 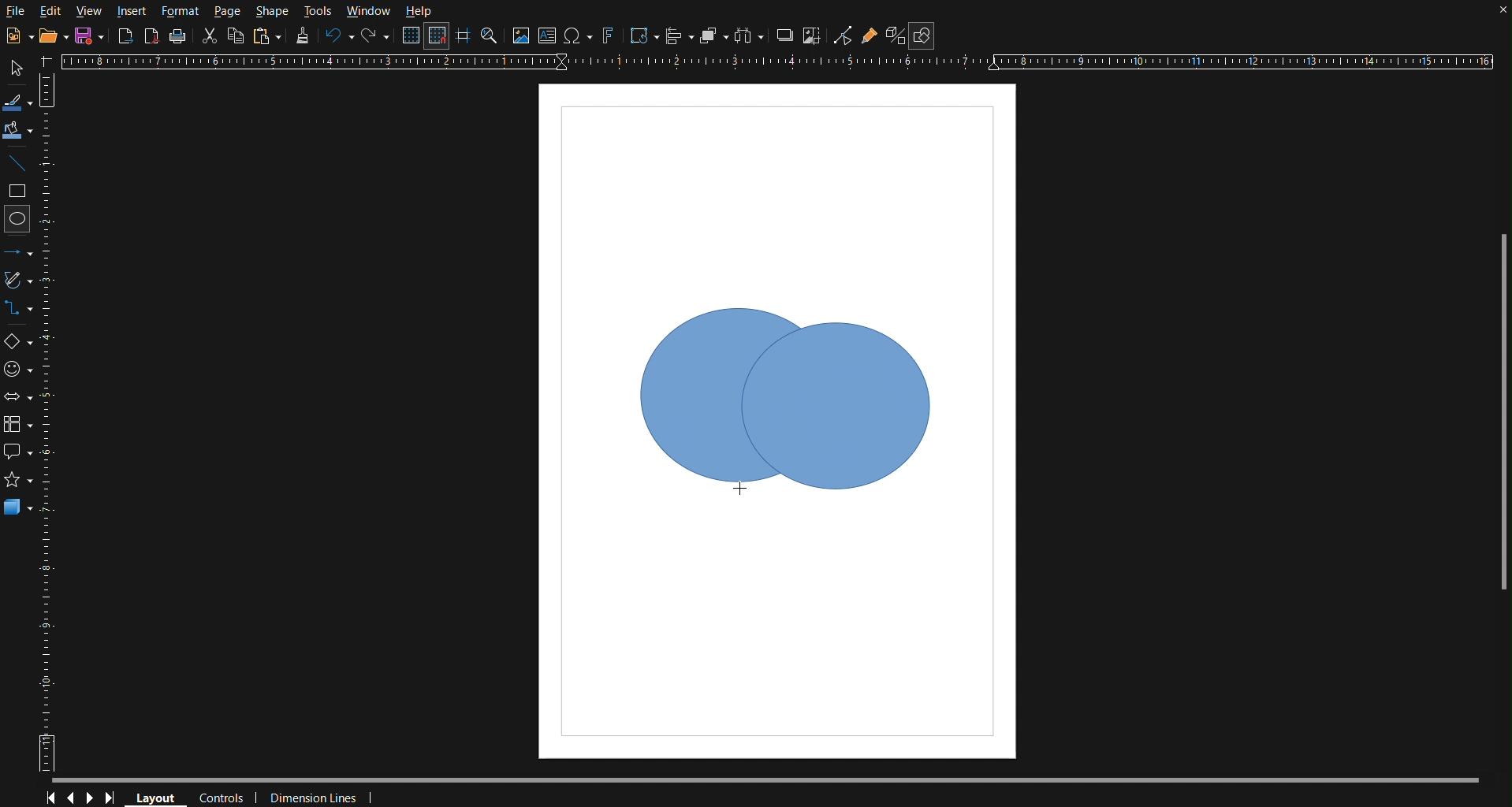 What do you see at coordinates (339, 39) in the screenshot?
I see `Undo` at bounding box center [339, 39].